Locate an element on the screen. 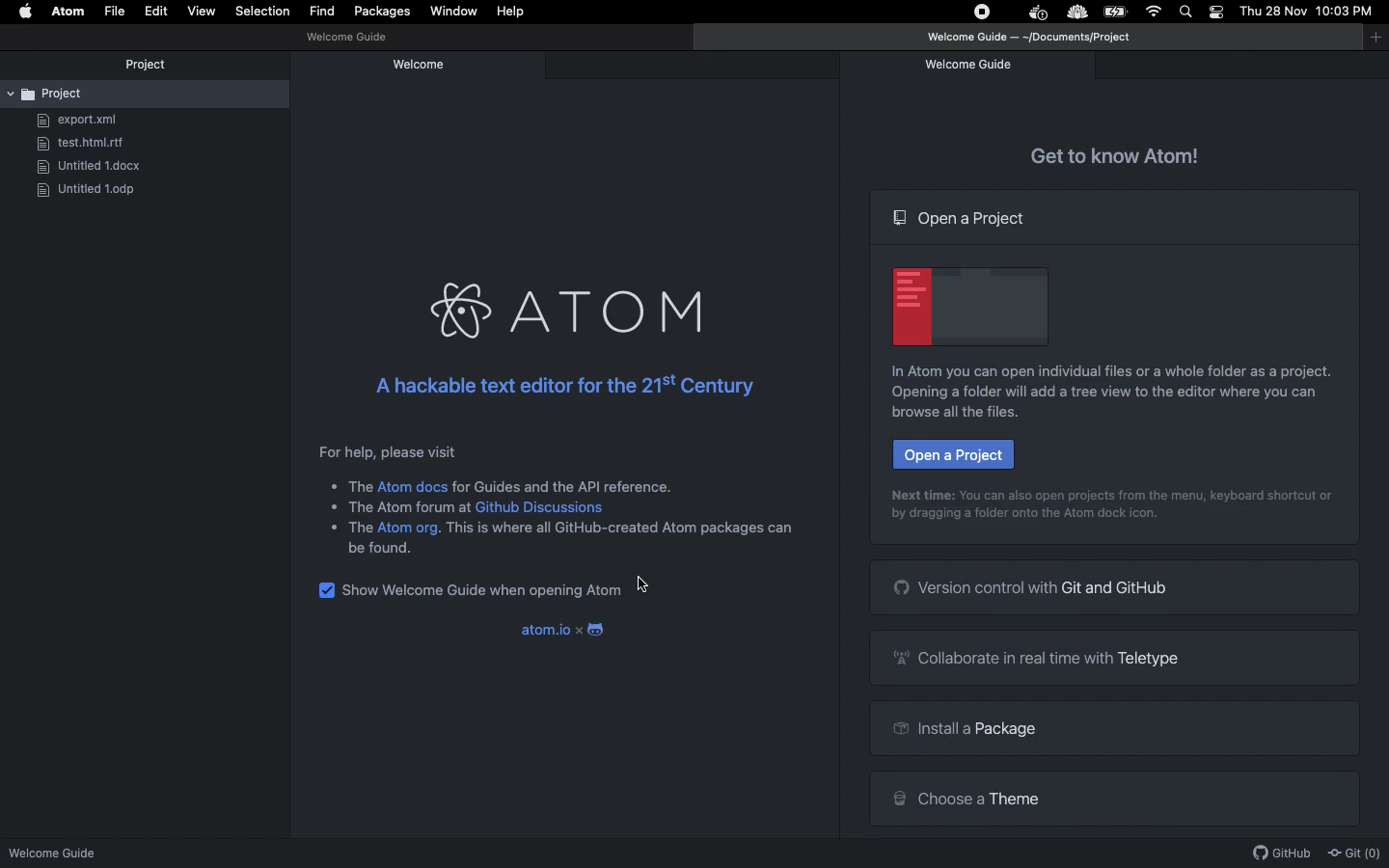  Atom org is located at coordinates (409, 528).